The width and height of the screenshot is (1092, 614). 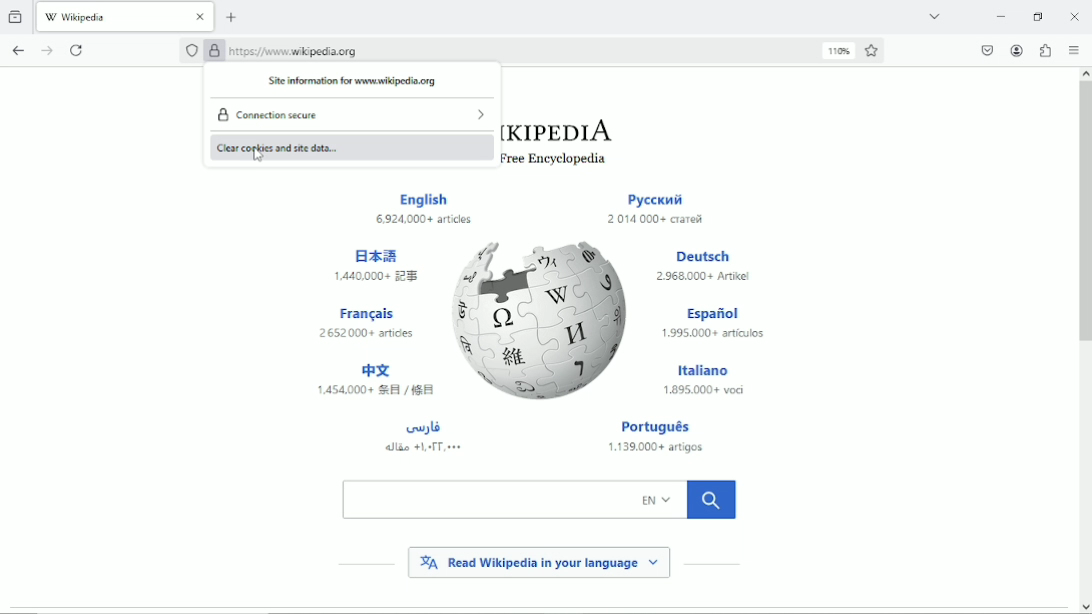 What do you see at coordinates (543, 319) in the screenshot?
I see `wikipedia logo` at bounding box center [543, 319].